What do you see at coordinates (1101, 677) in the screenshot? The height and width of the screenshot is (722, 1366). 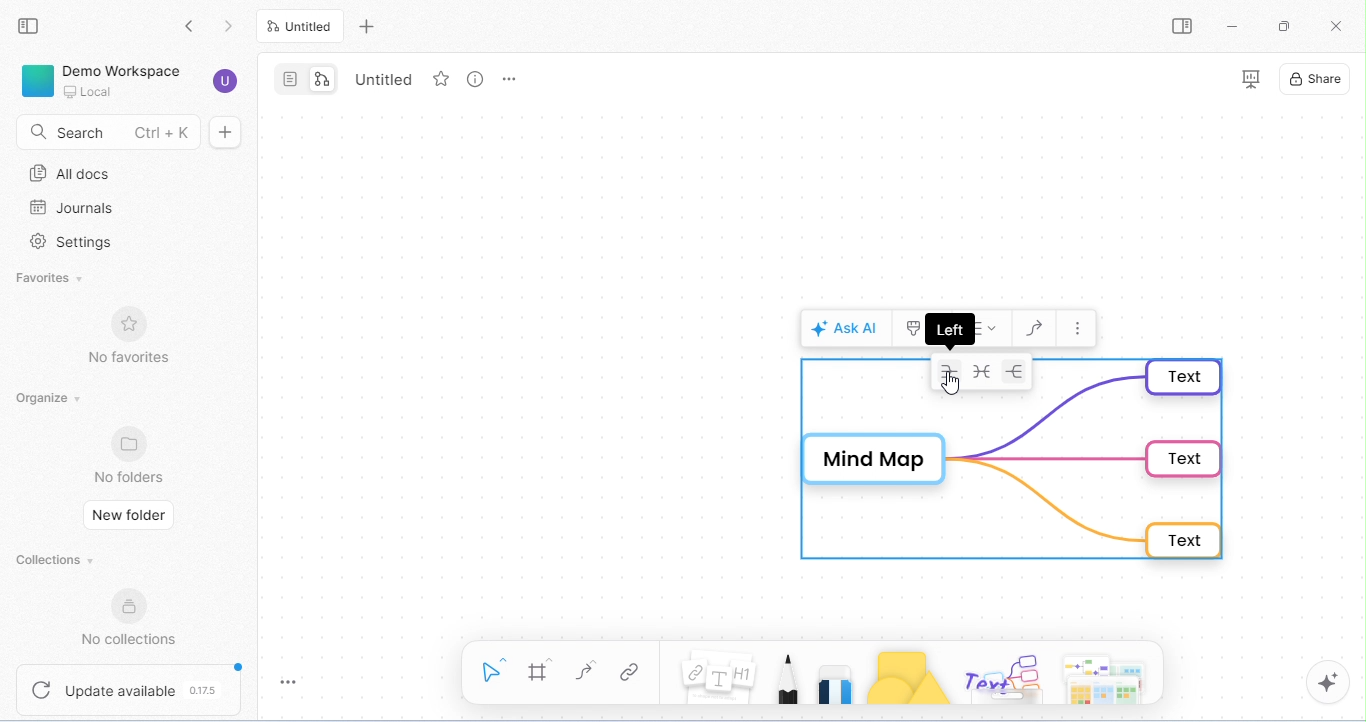 I see `arrows, cheeky piggles, paper and more` at bounding box center [1101, 677].